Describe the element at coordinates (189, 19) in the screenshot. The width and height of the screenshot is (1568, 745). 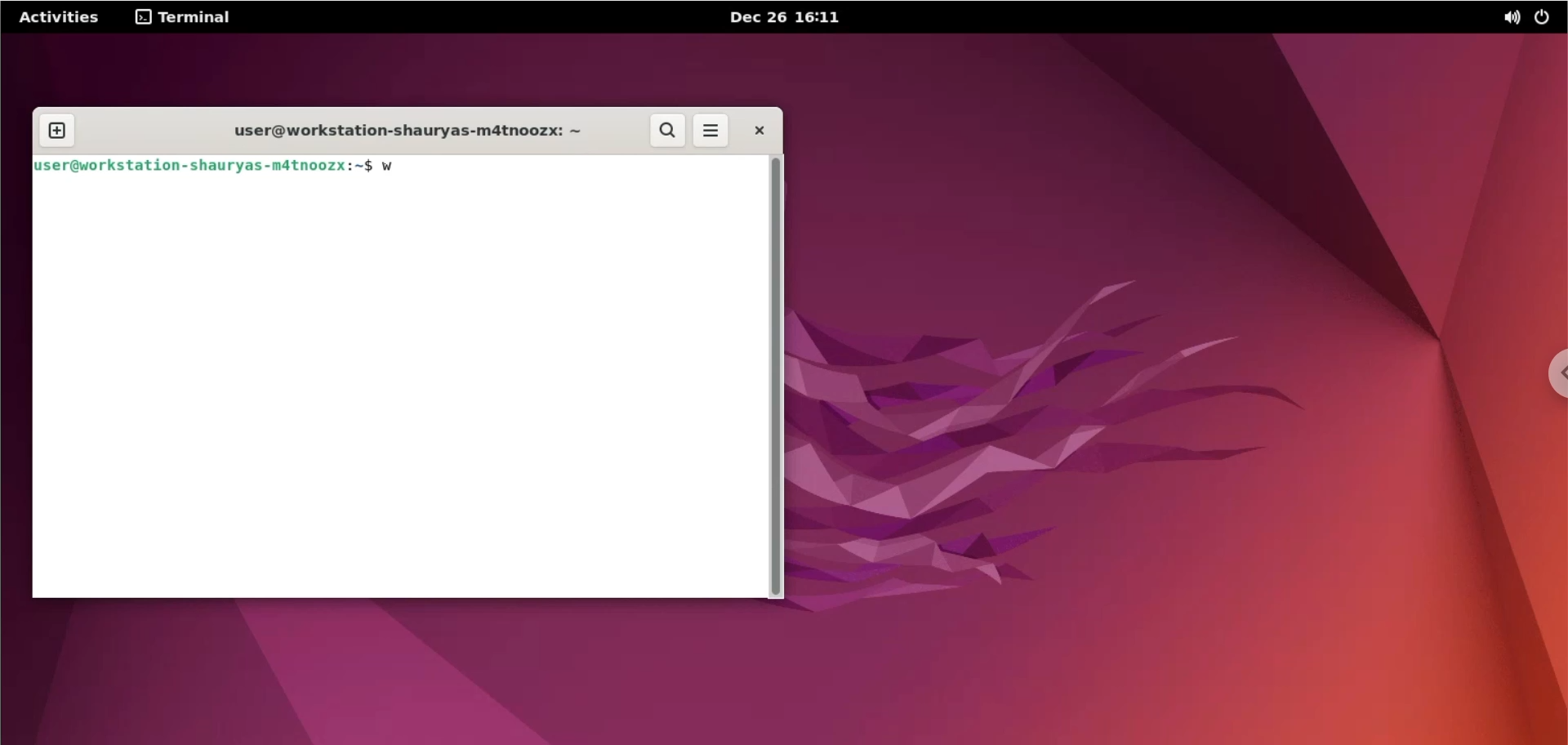
I see `terminal options` at that location.